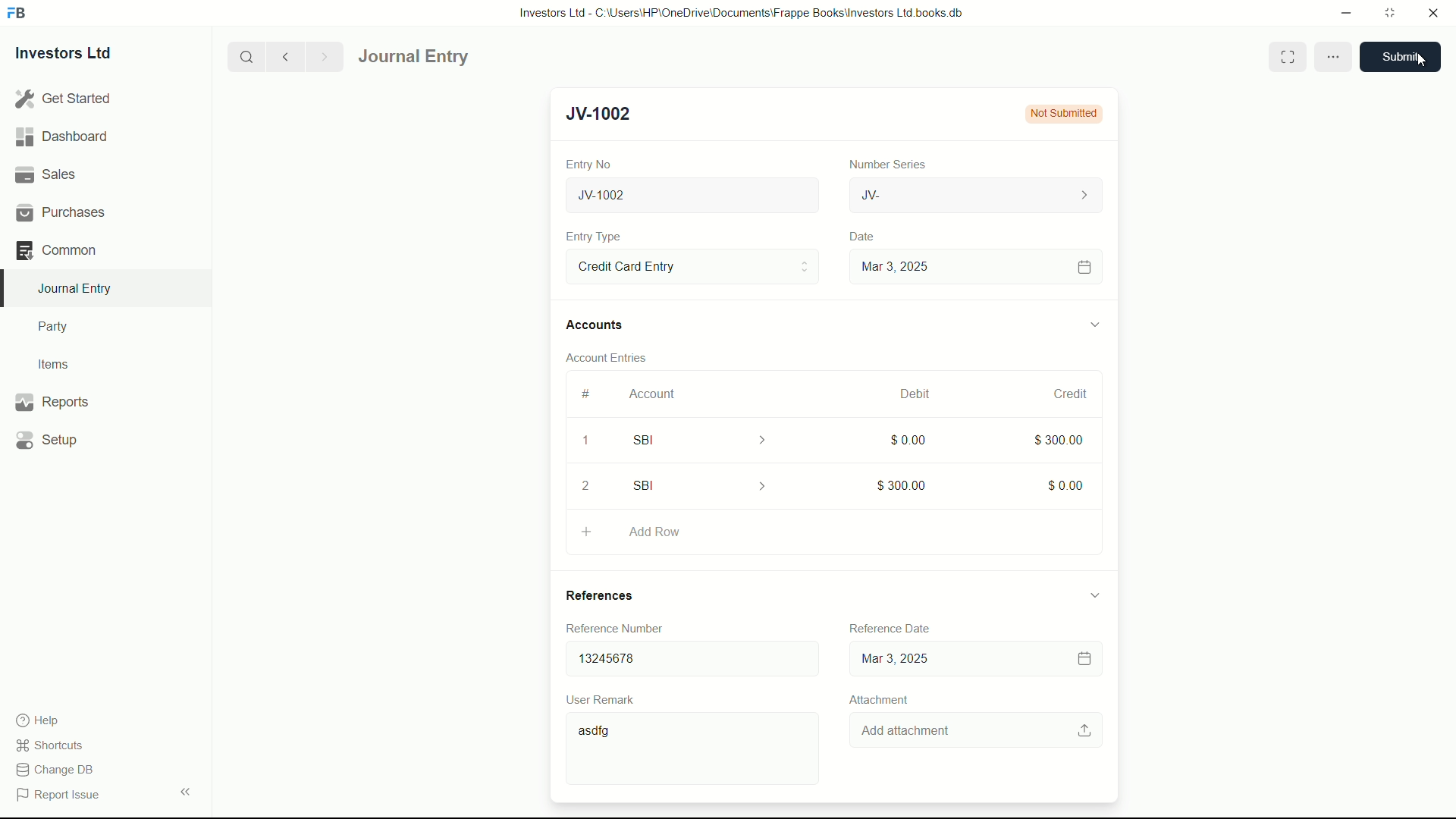 The width and height of the screenshot is (1456, 819). Describe the element at coordinates (686, 655) in the screenshot. I see `13245678` at that location.